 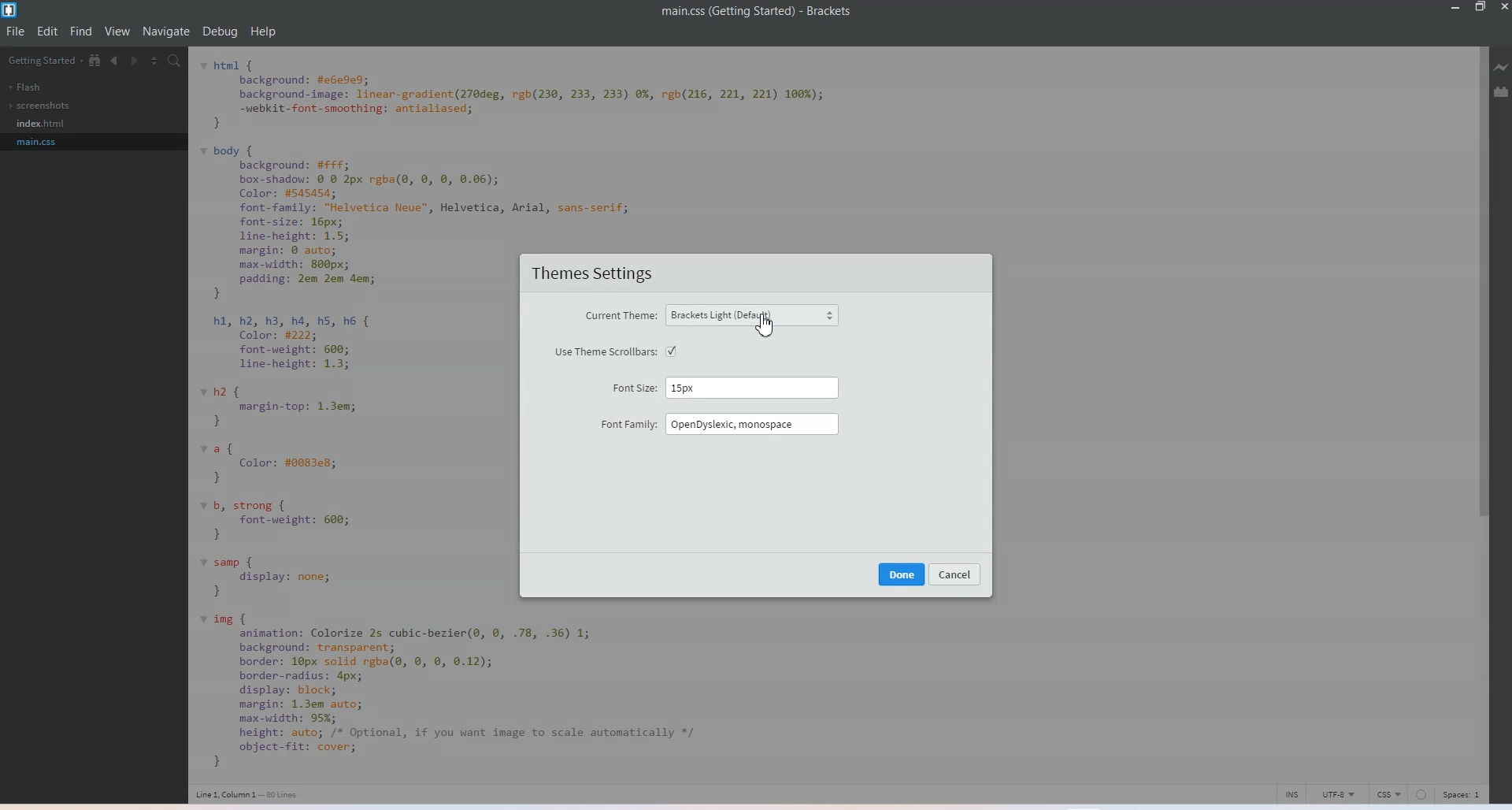 I want to click on Maximize, so click(x=1481, y=8).